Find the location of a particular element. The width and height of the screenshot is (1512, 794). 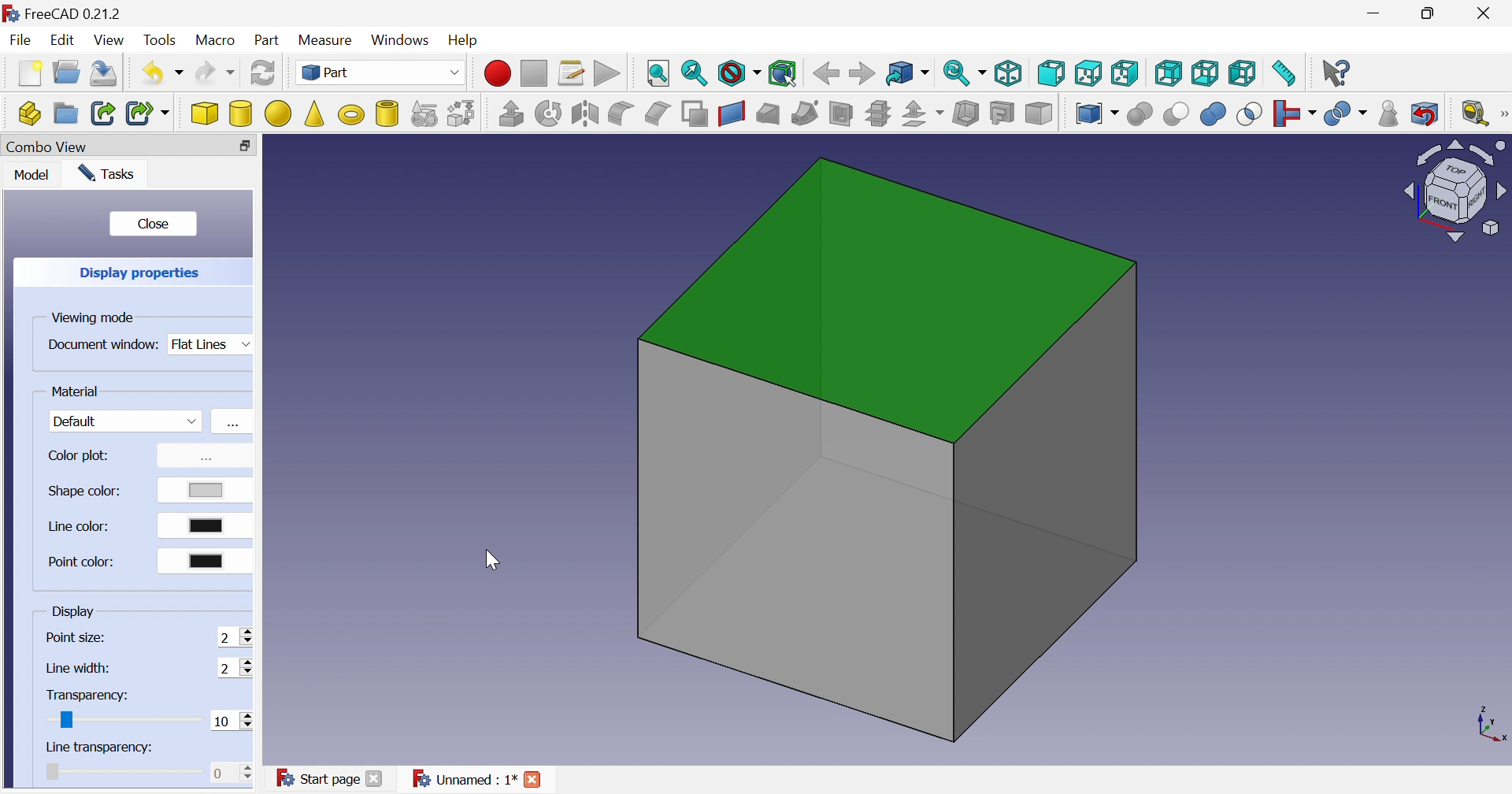

Fit selection is located at coordinates (694, 71).